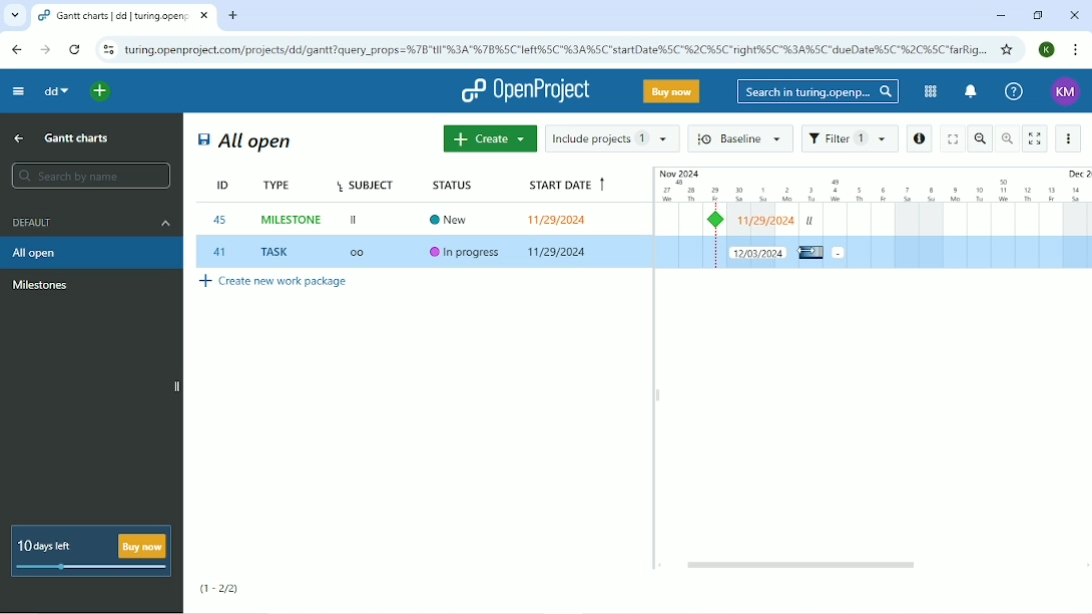 The image size is (1092, 614). I want to click on 45, so click(221, 220).